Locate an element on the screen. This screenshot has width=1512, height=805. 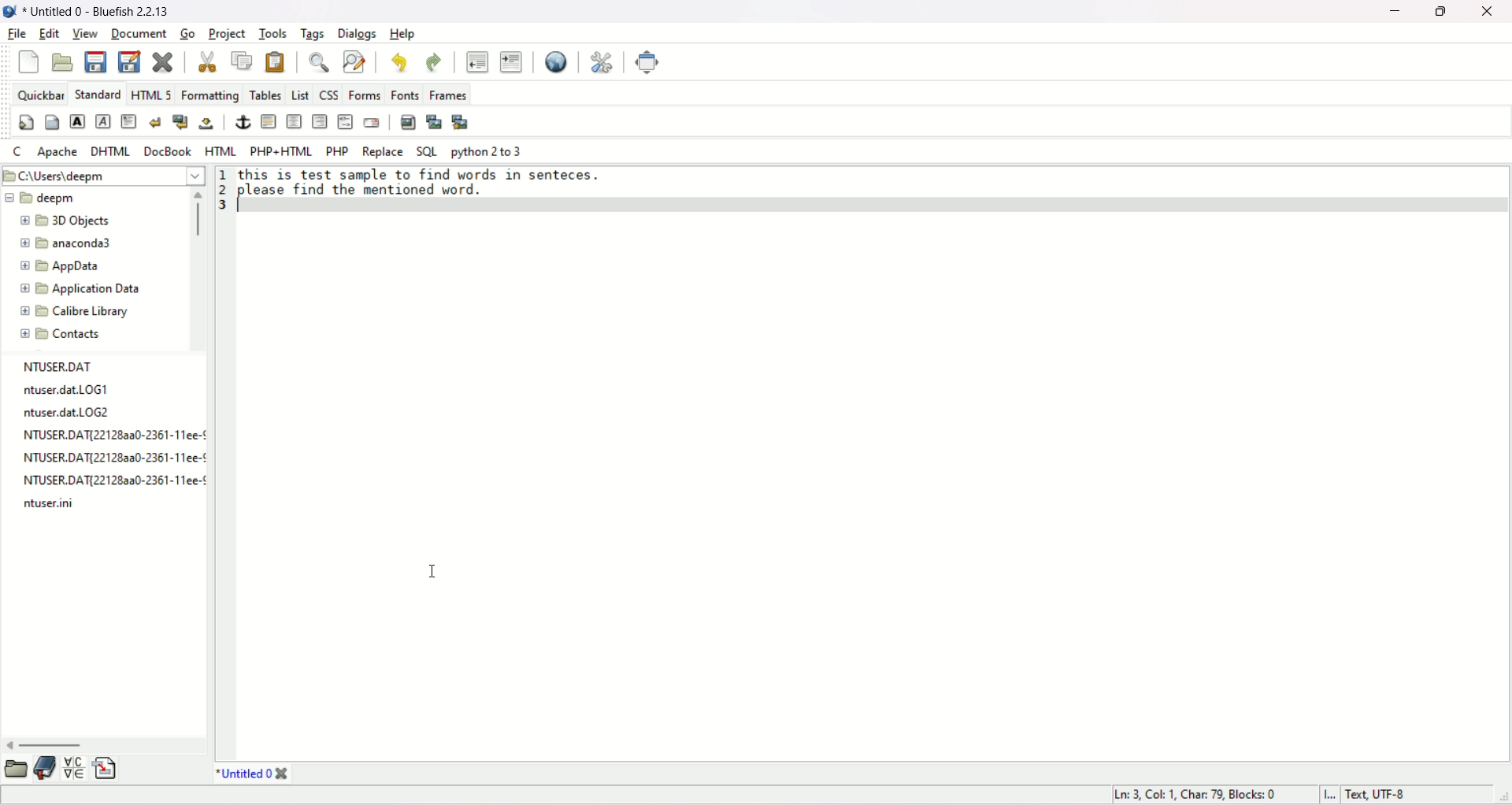
insert thumbnail is located at coordinates (434, 121).